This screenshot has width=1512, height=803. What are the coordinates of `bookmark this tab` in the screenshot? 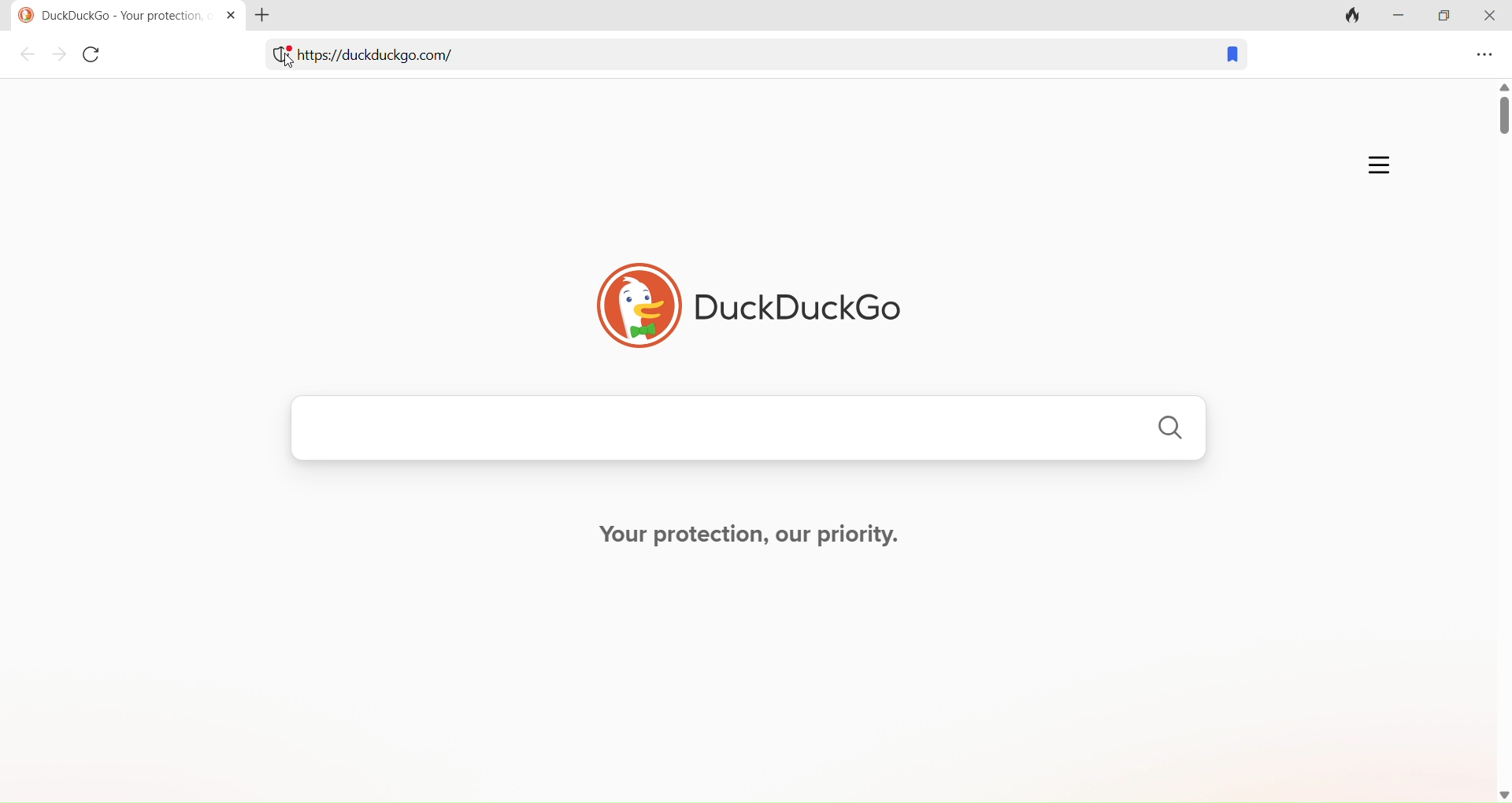 It's located at (1227, 57).